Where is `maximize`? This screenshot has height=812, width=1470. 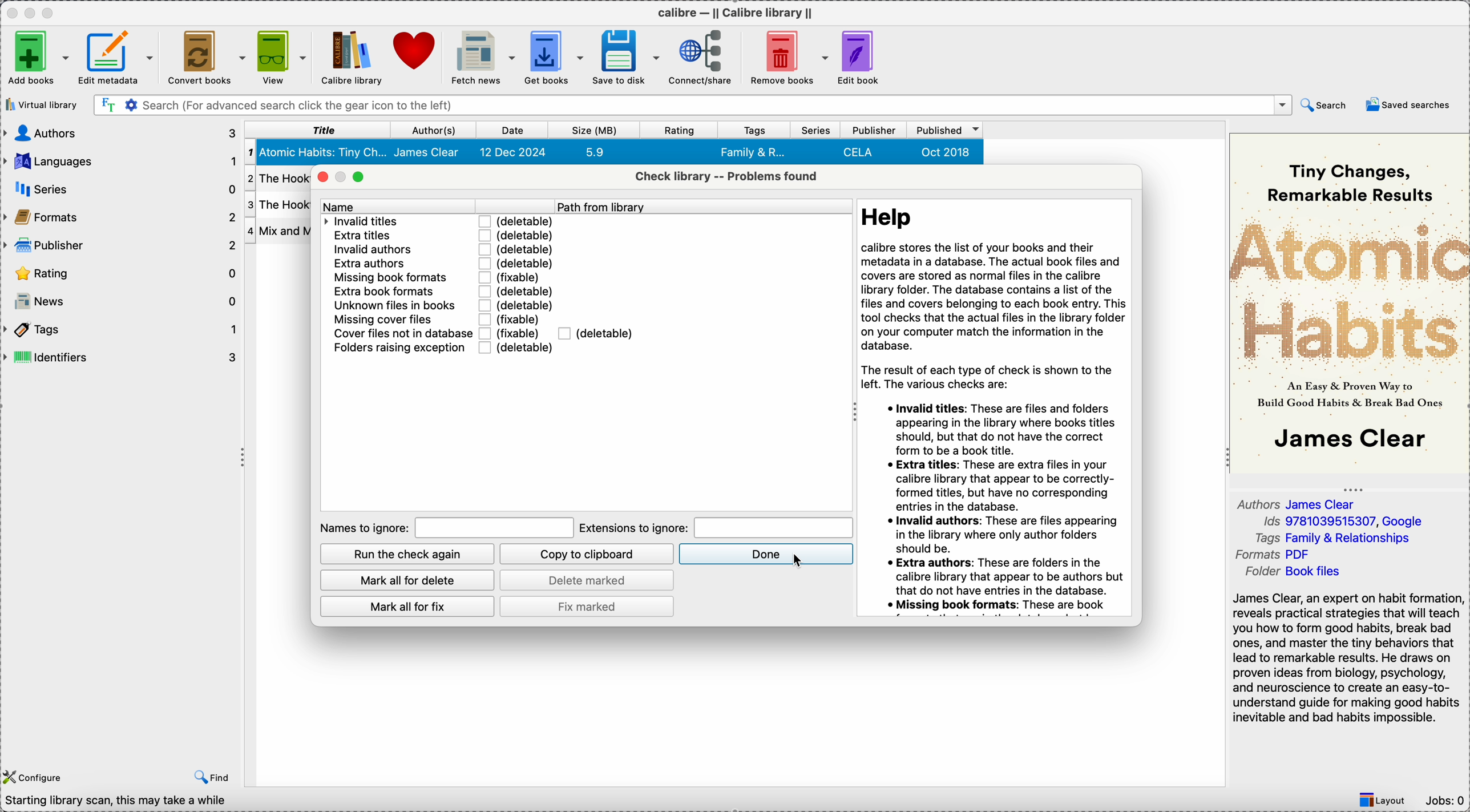 maximize is located at coordinates (360, 178).